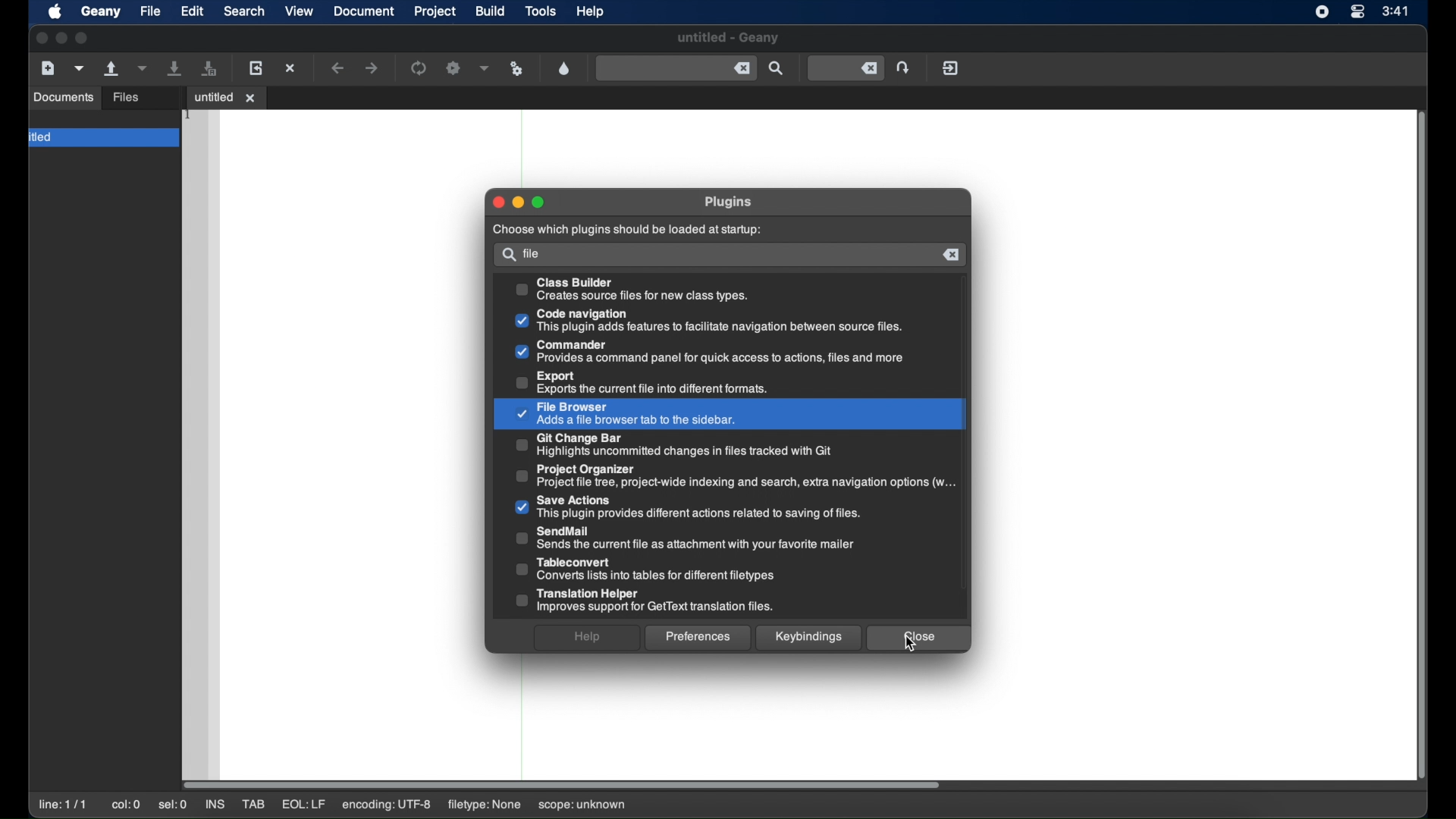 The width and height of the screenshot is (1456, 819). What do you see at coordinates (952, 255) in the screenshot?
I see `` at bounding box center [952, 255].